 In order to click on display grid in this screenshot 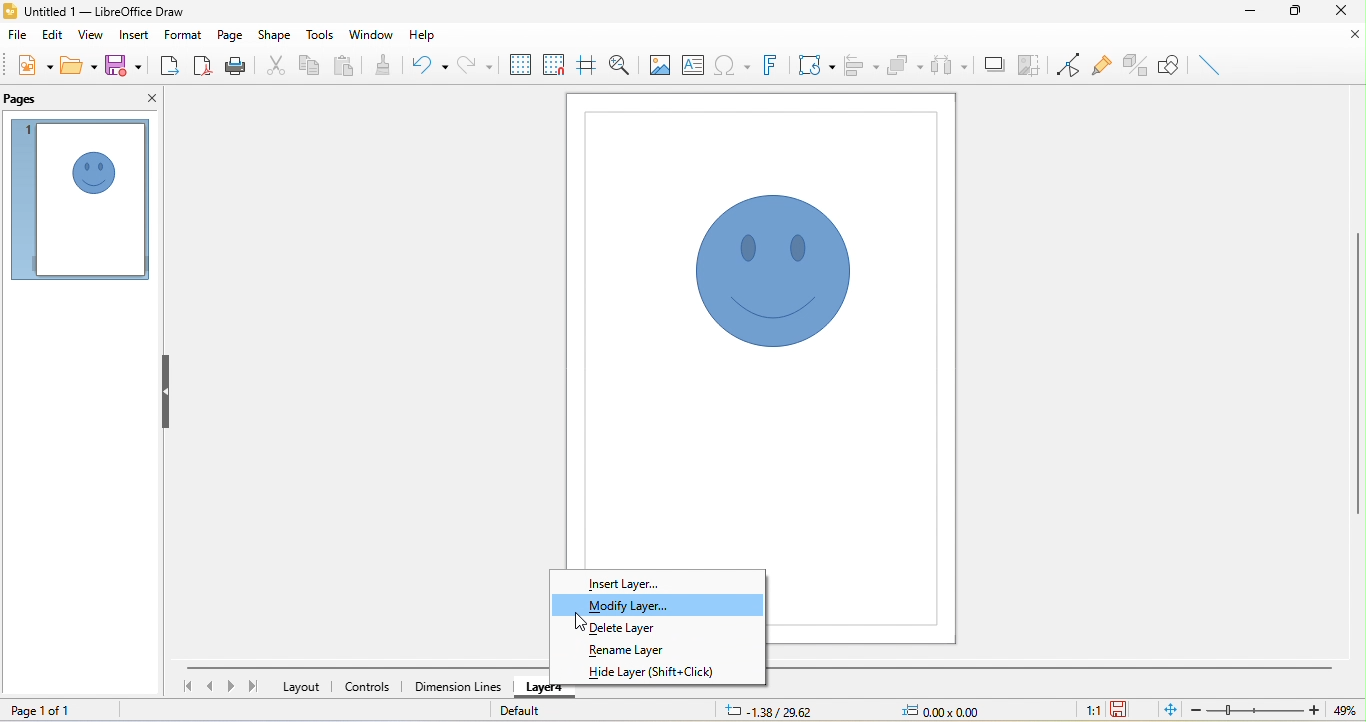, I will do `click(522, 65)`.